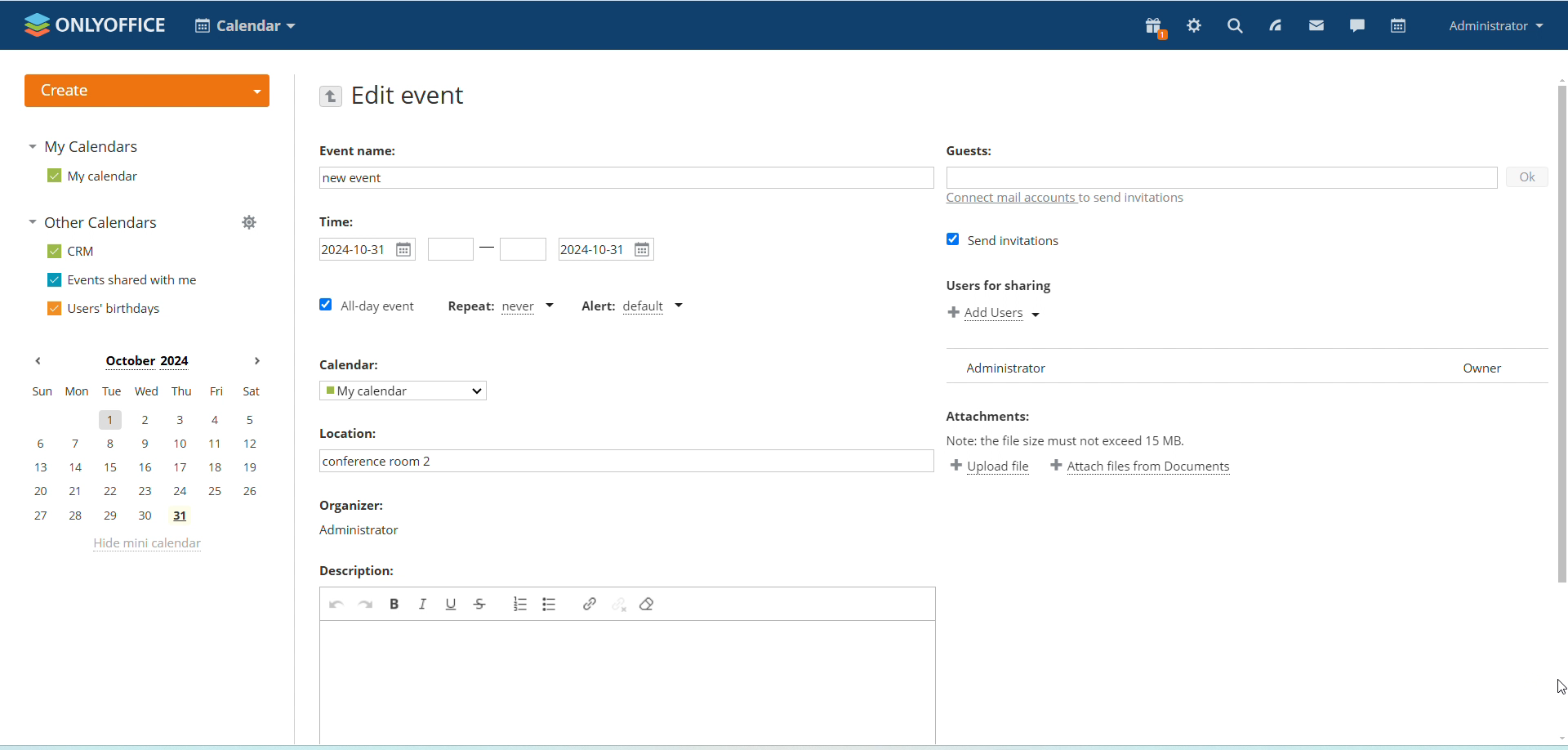 This screenshot has width=1568, height=750. Describe the element at coordinates (87, 145) in the screenshot. I see `my calendars` at that location.